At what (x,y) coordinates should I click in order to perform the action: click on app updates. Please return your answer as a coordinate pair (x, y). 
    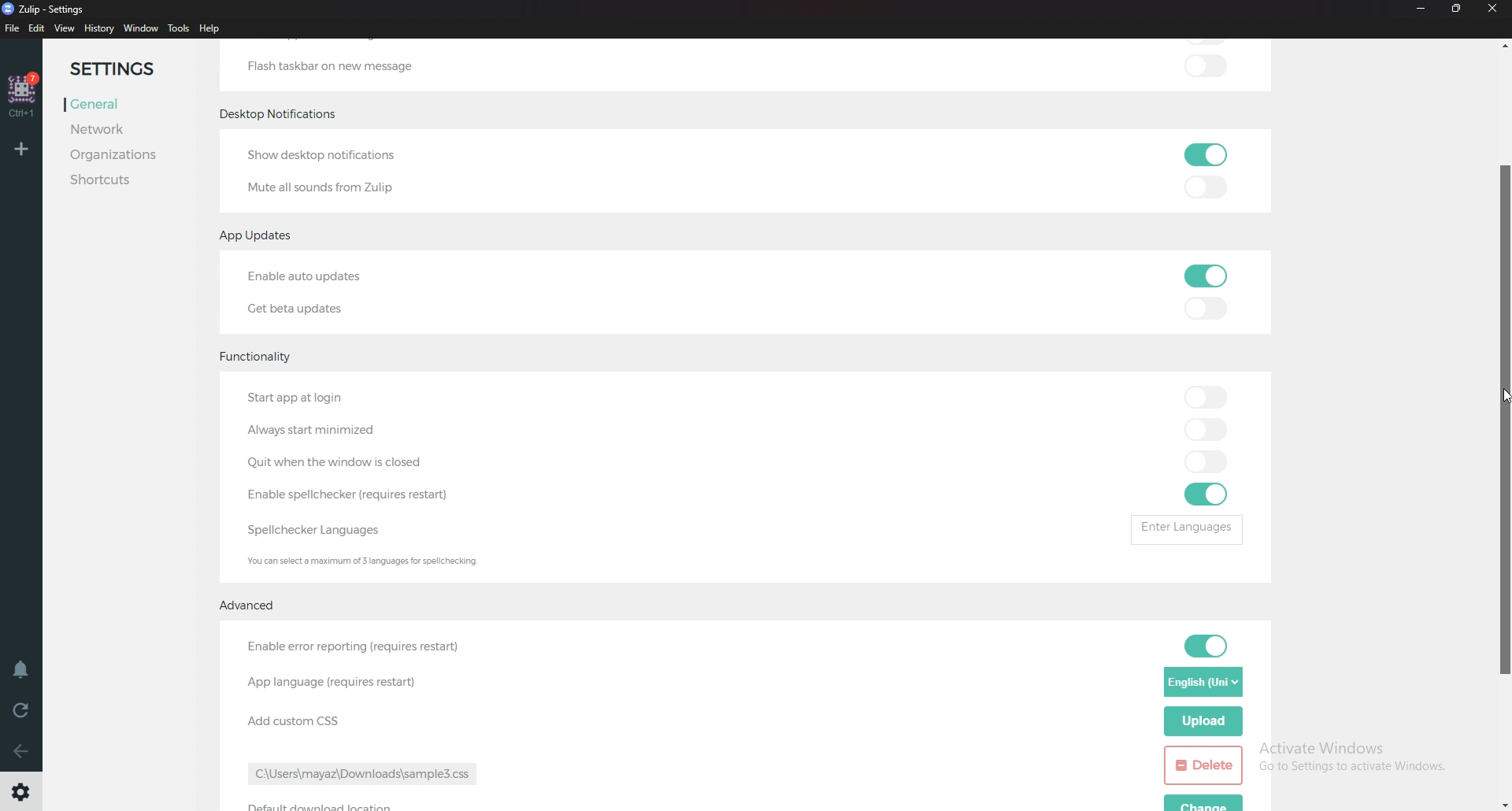
    Looking at the image, I should click on (258, 235).